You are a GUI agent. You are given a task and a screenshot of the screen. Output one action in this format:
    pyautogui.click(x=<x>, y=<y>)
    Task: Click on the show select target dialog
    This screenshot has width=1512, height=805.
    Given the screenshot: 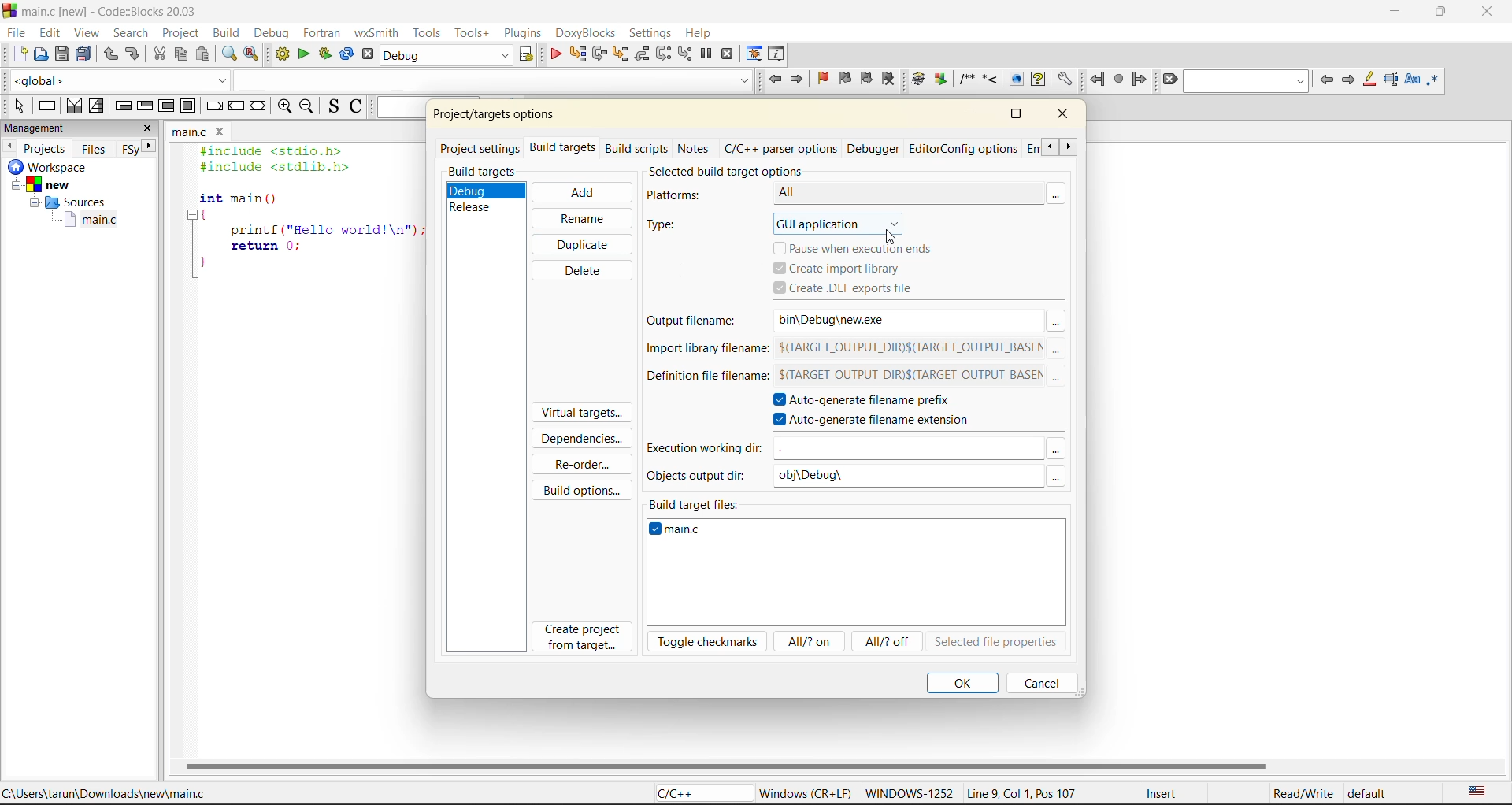 What is the action you would take?
    pyautogui.click(x=528, y=55)
    